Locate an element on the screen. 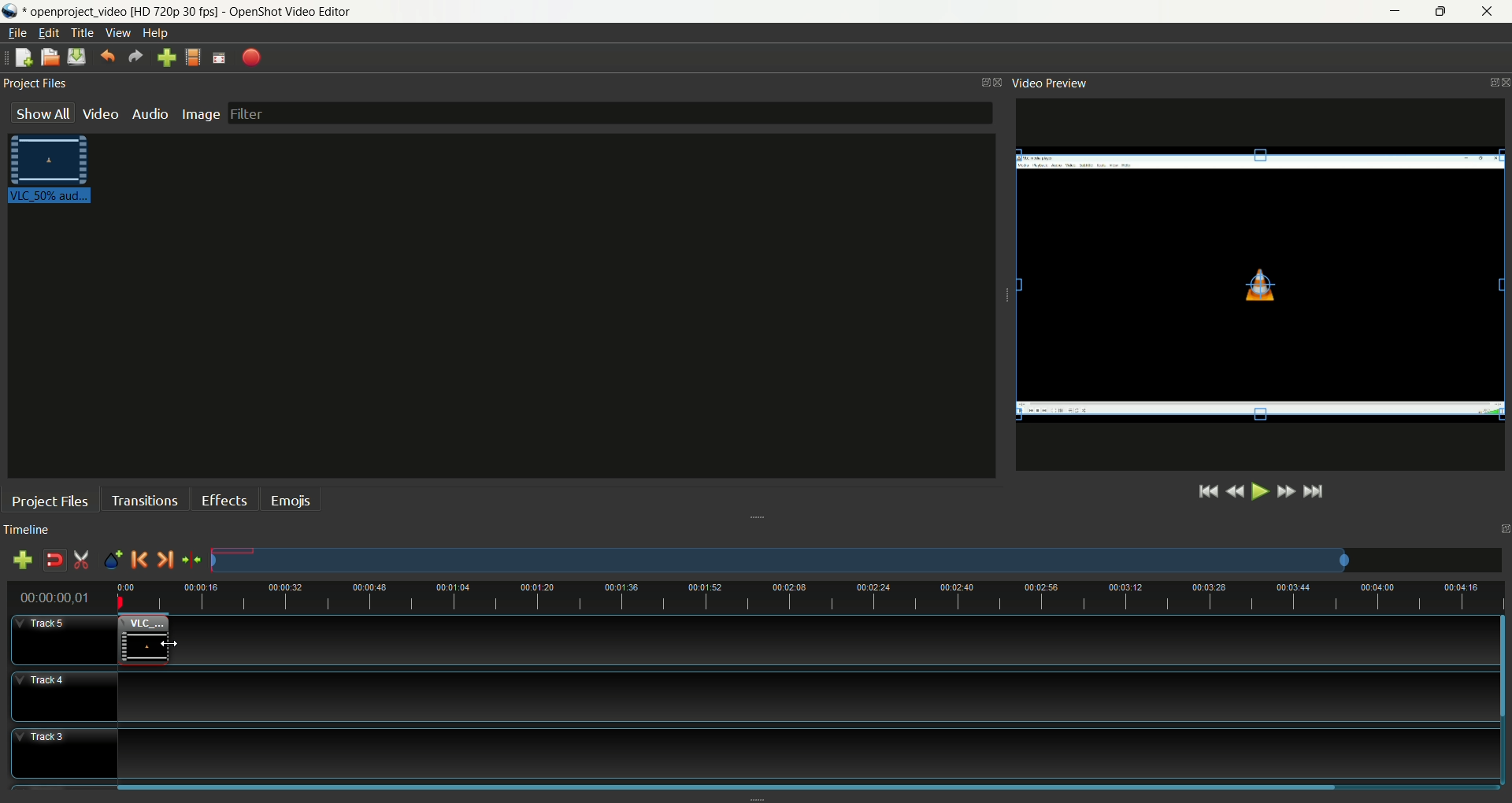 The width and height of the screenshot is (1512, 803). maximize is located at coordinates (1443, 12).